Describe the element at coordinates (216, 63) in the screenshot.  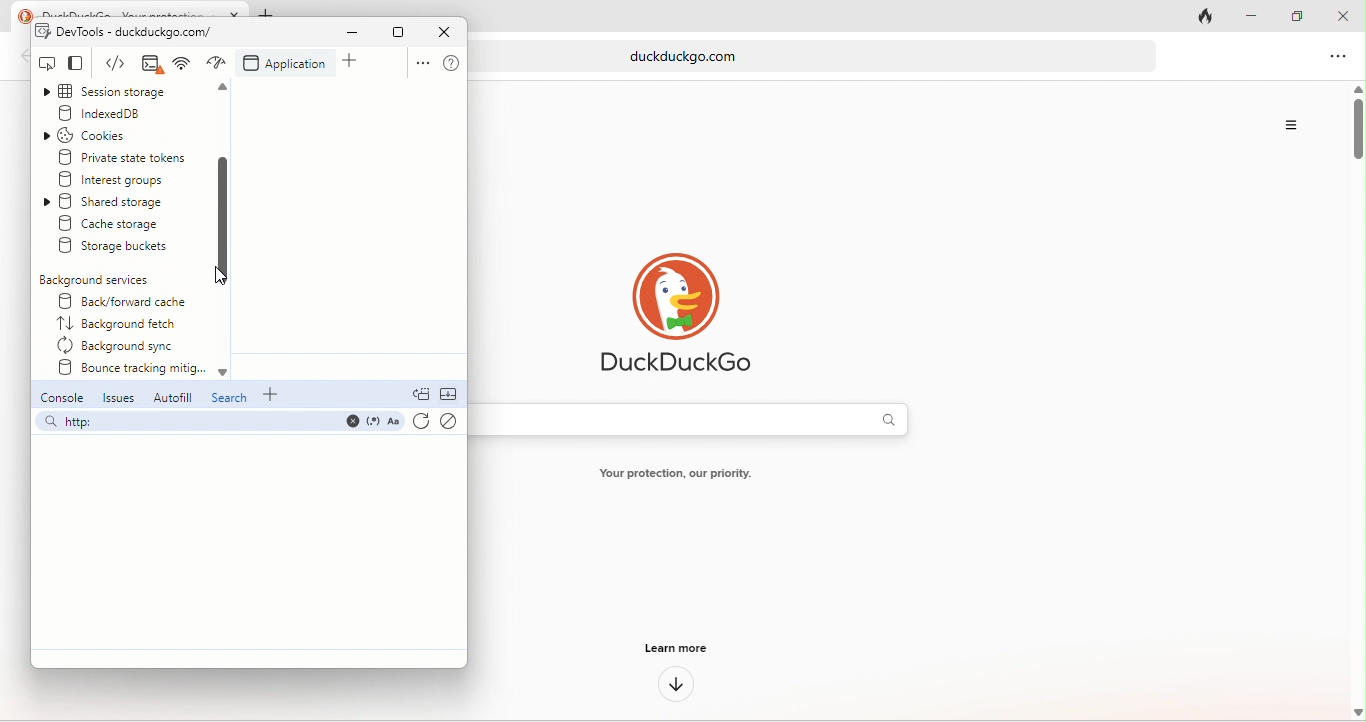
I see `network` at that location.